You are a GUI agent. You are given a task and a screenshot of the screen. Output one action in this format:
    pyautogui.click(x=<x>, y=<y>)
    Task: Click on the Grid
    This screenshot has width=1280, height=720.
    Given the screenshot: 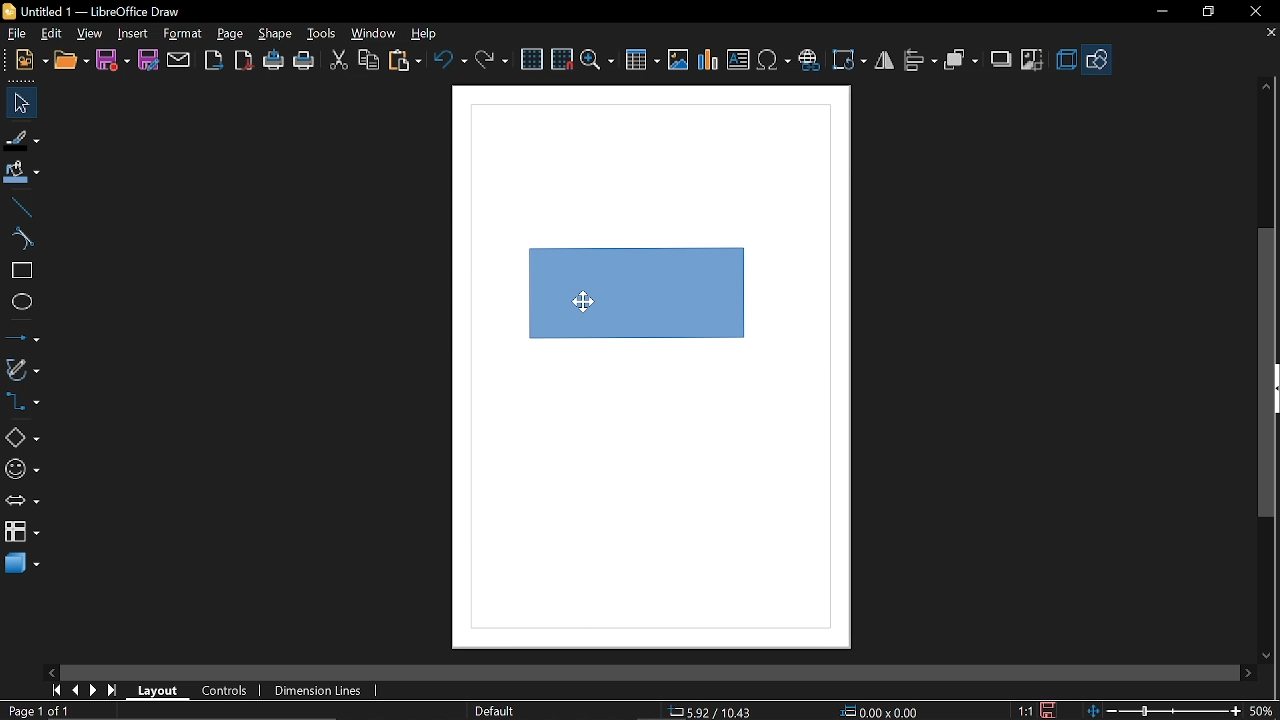 What is the action you would take?
    pyautogui.click(x=533, y=60)
    